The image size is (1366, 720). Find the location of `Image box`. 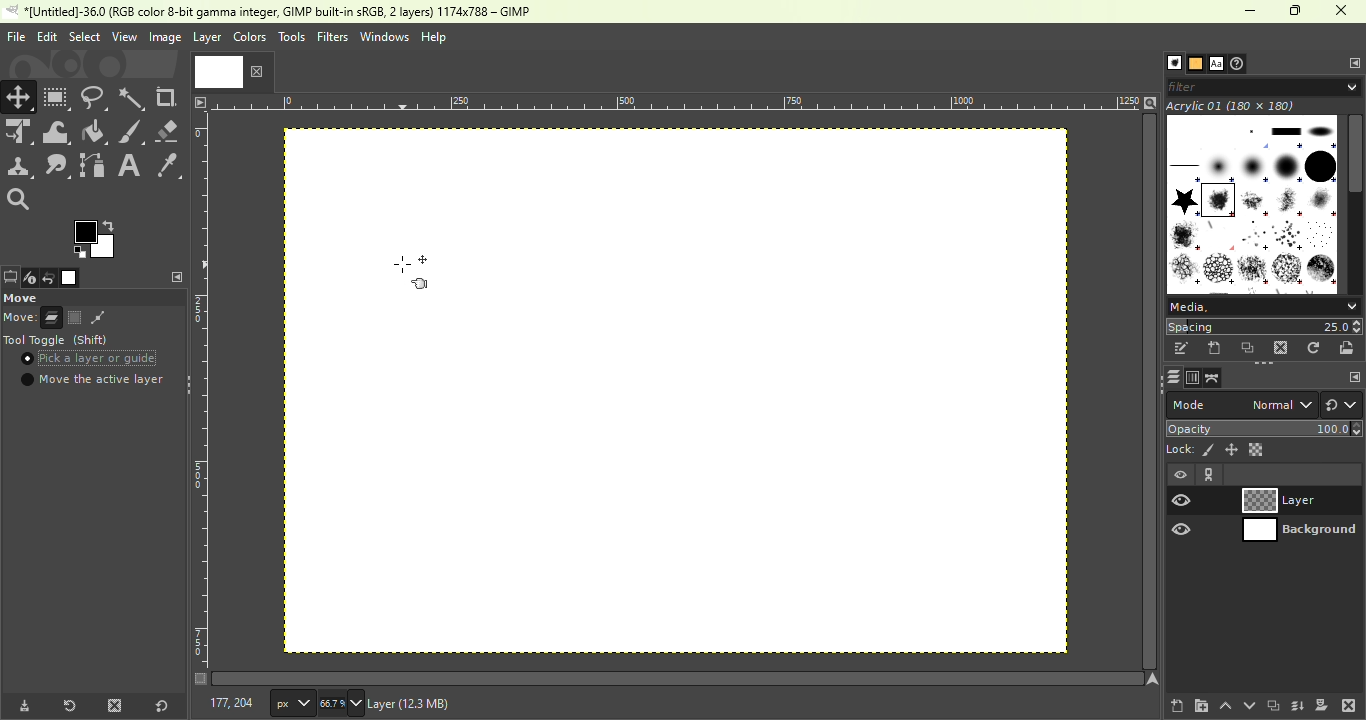

Image box is located at coordinates (1252, 199).